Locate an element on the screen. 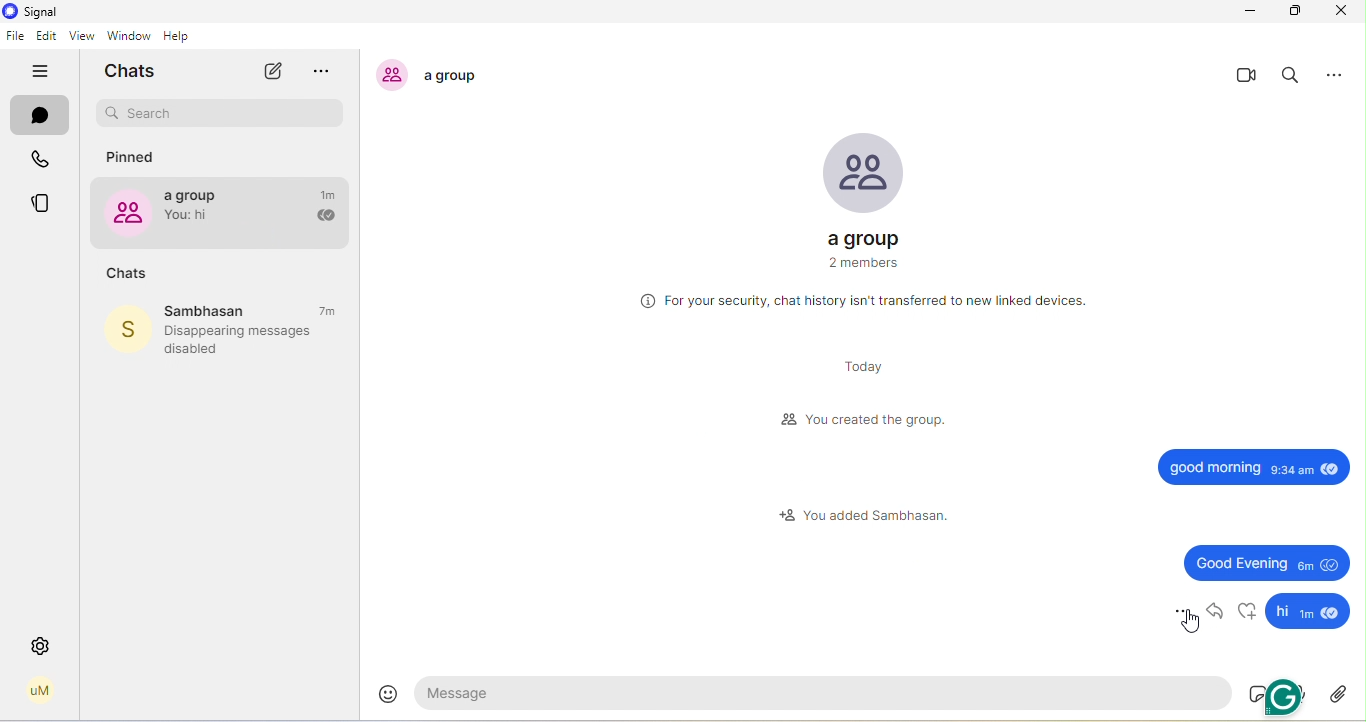 This screenshot has height=722, width=1366. pinned is located at coordinates (134, 158).